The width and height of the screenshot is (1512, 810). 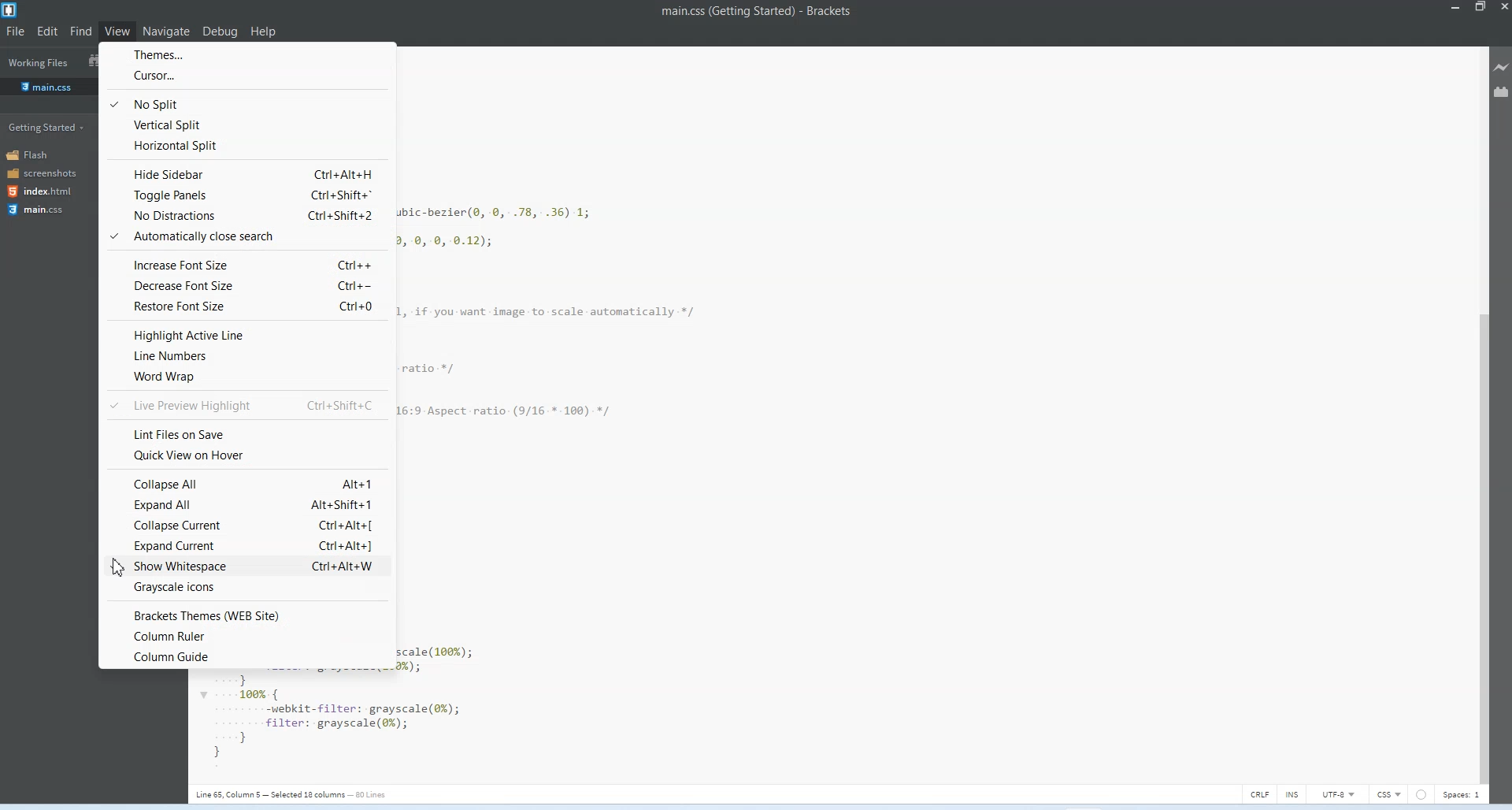 I want to click on Show white space, so click(x=248, y=544).